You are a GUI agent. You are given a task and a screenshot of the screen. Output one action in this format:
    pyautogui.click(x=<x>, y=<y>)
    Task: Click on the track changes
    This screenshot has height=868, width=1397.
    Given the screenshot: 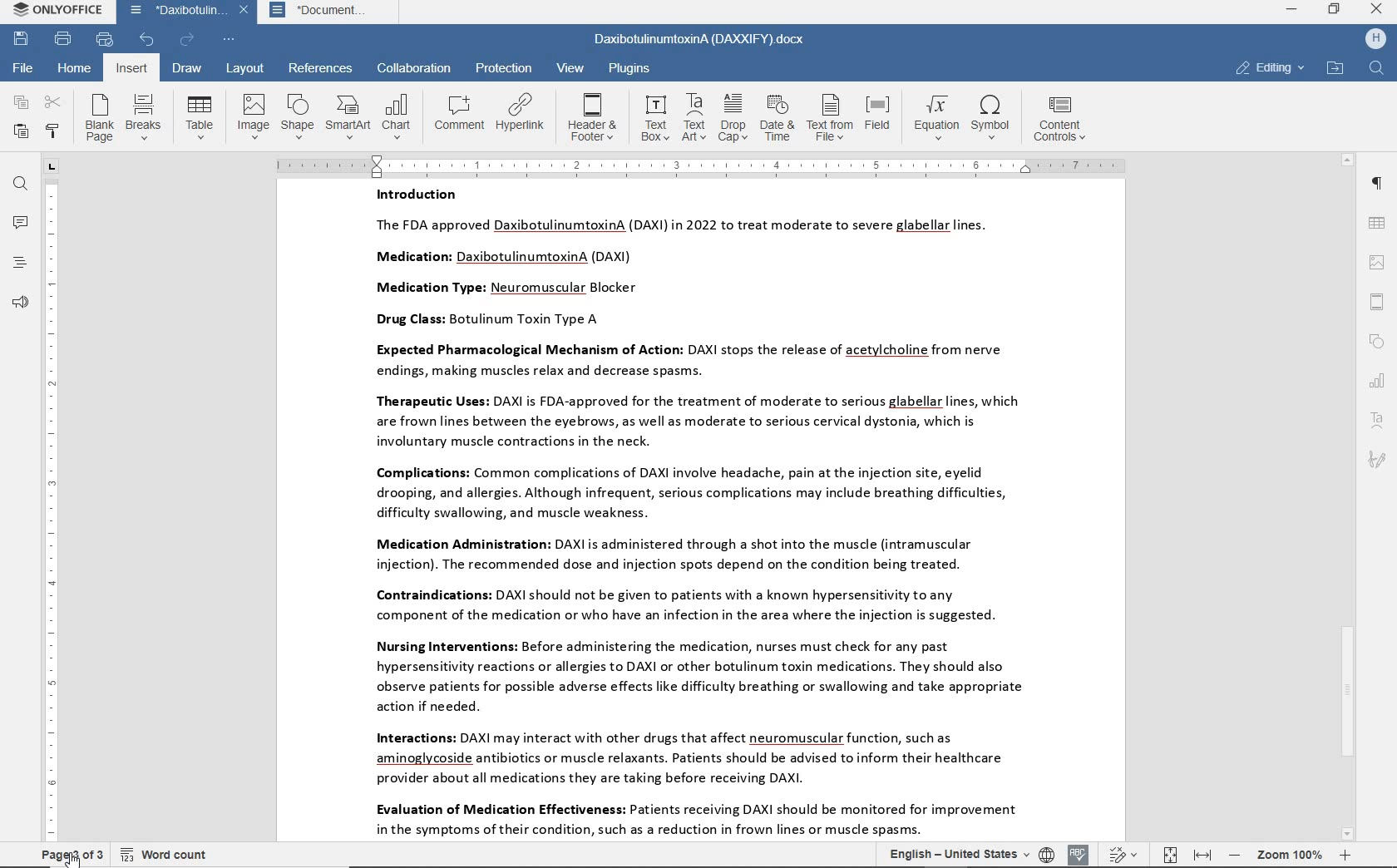 What is the action you would take?
    pyautogui.click(x=1122, y=856)
    